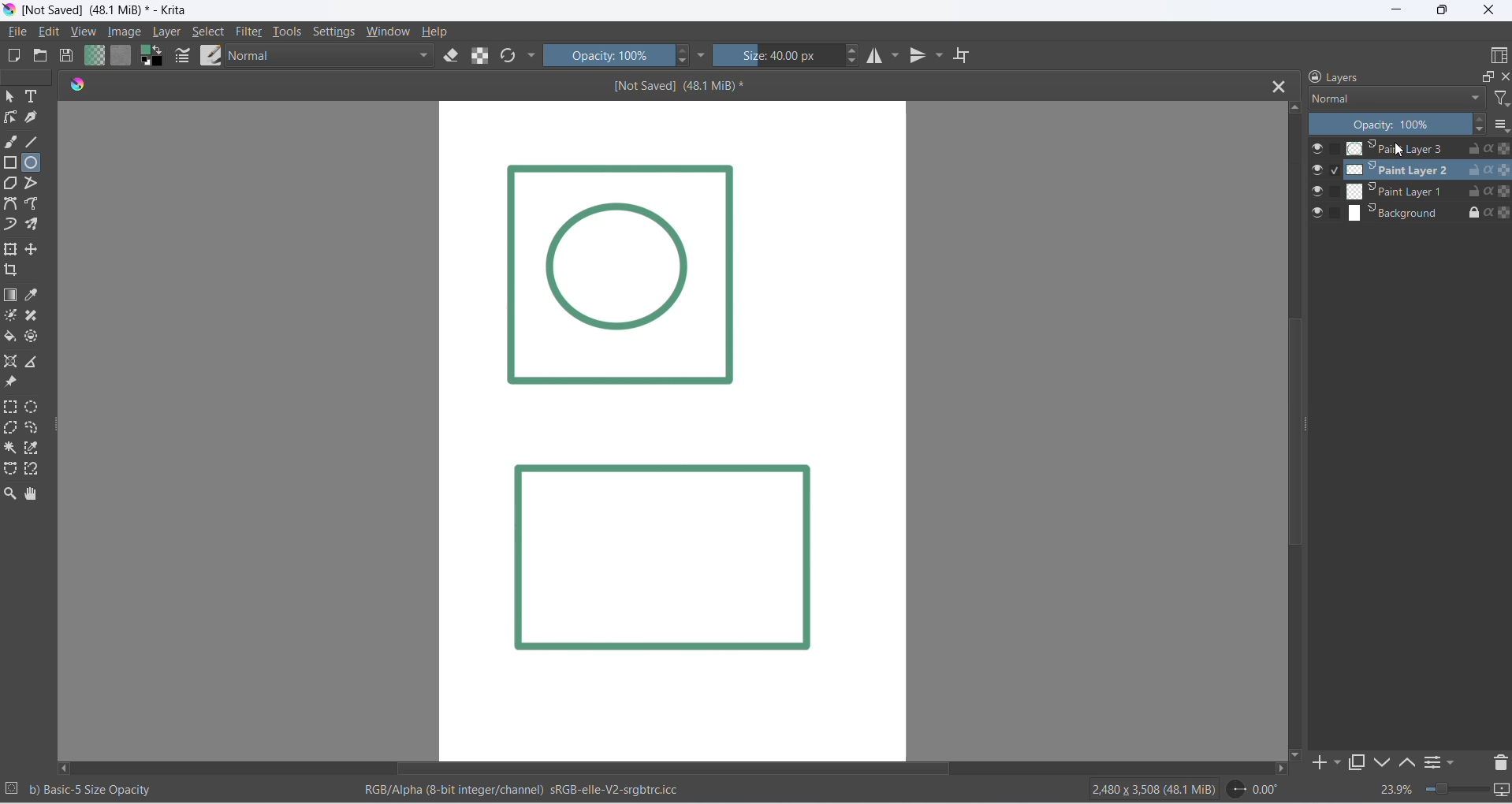  Describe the element at coordinates (37, 204) in the screenshot. I see `freehand path tool` at that location.